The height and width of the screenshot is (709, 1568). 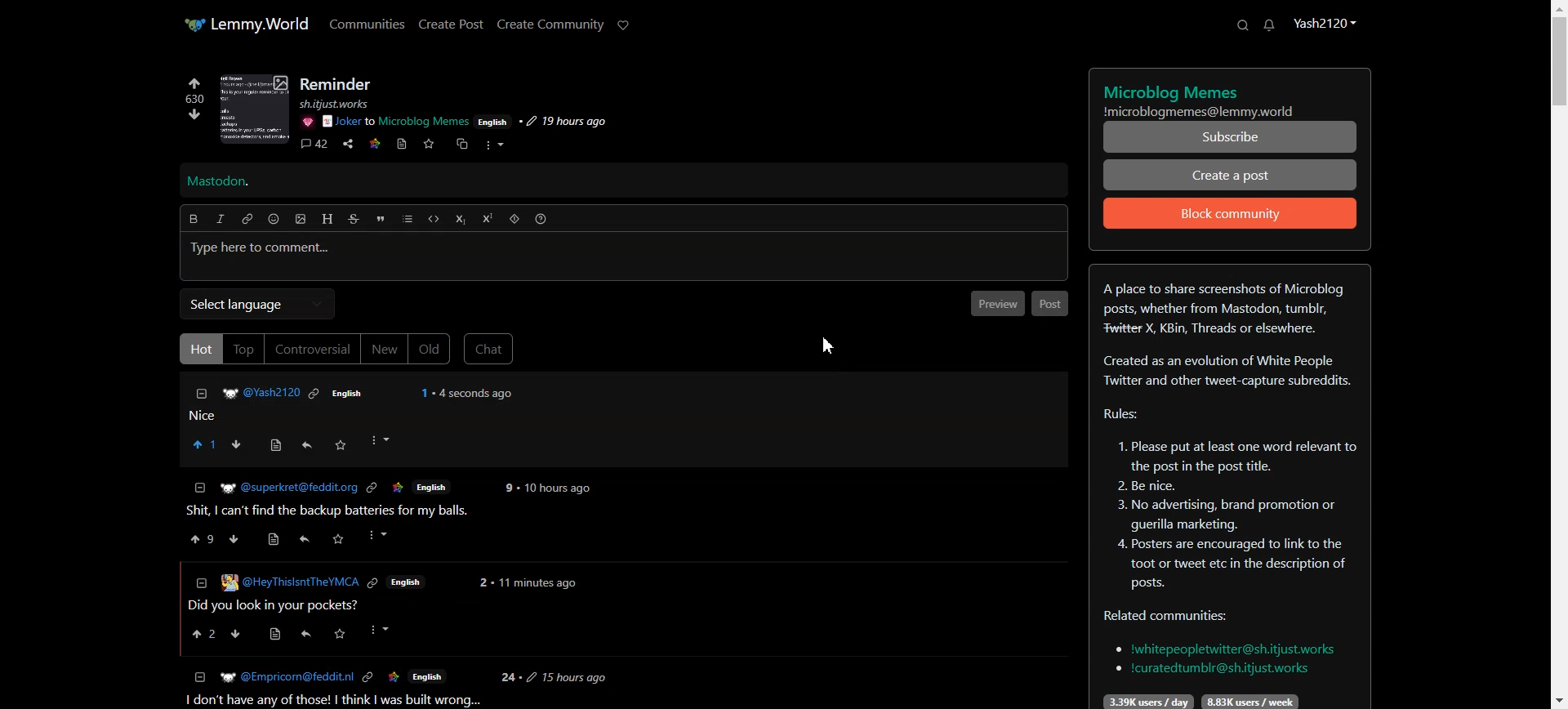 I want to click on Profile, so click(x=1324, y=22).